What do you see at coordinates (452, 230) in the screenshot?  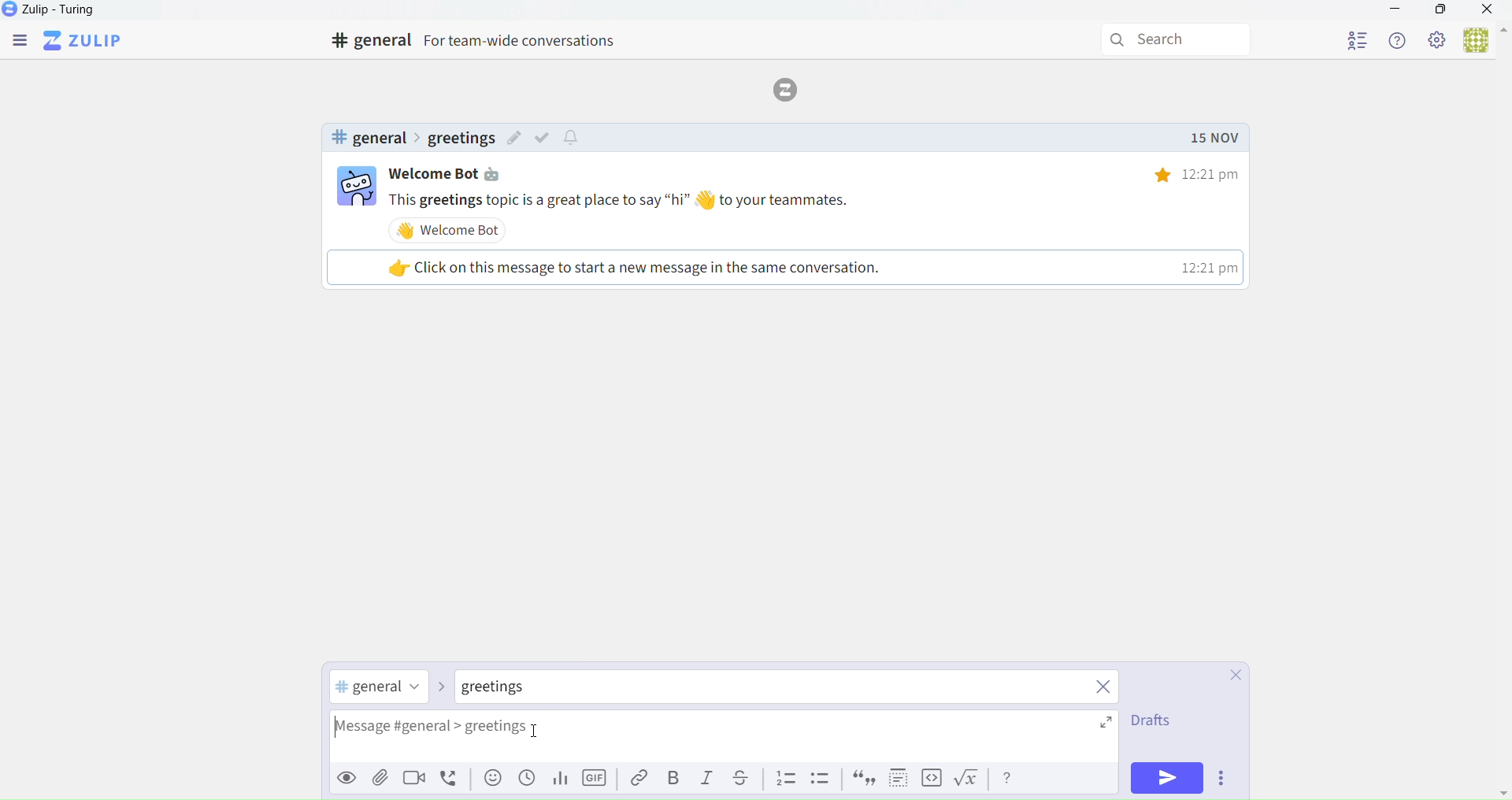 I see `welcome bot` at bounding box center [452, 230].